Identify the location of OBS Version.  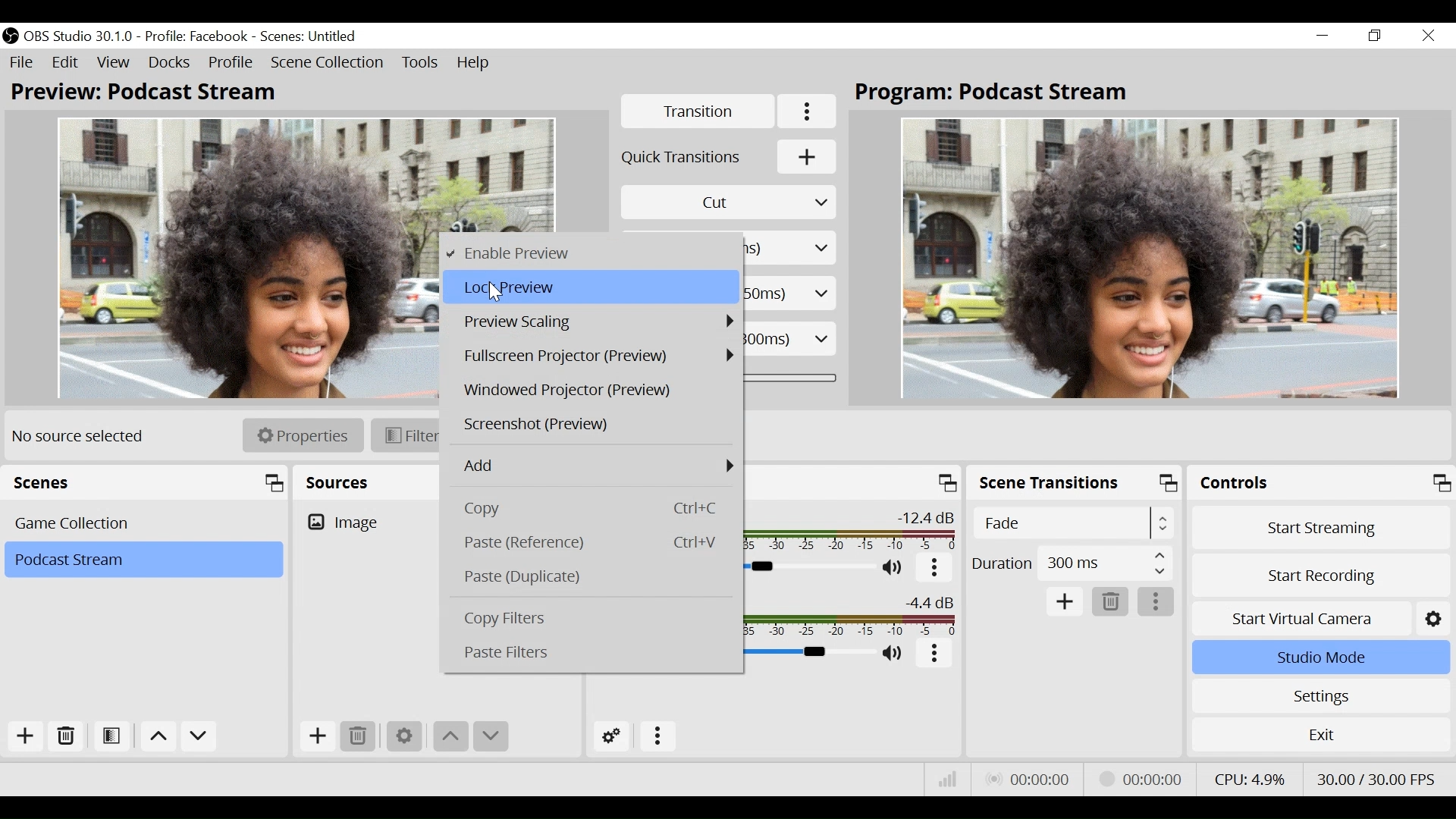
(80, 37).